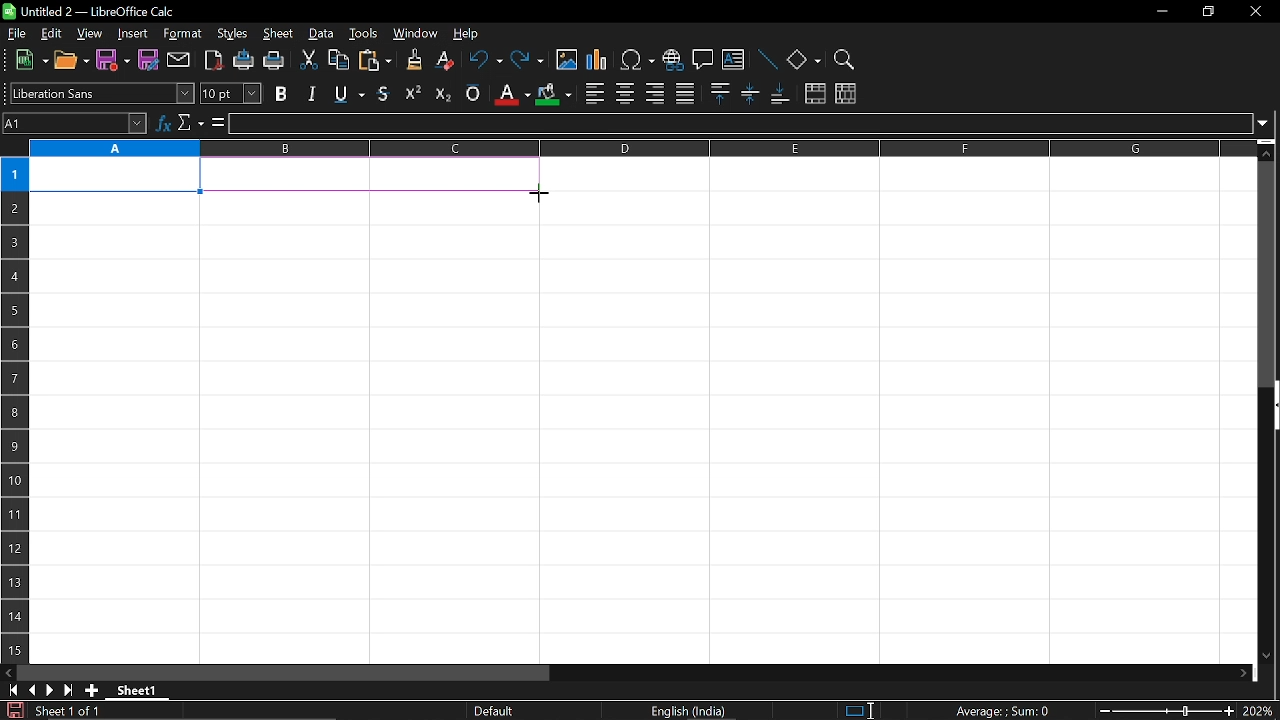  Describe the element at coordinates (442, 61) in the screenshot. I see `eraser` at that location.